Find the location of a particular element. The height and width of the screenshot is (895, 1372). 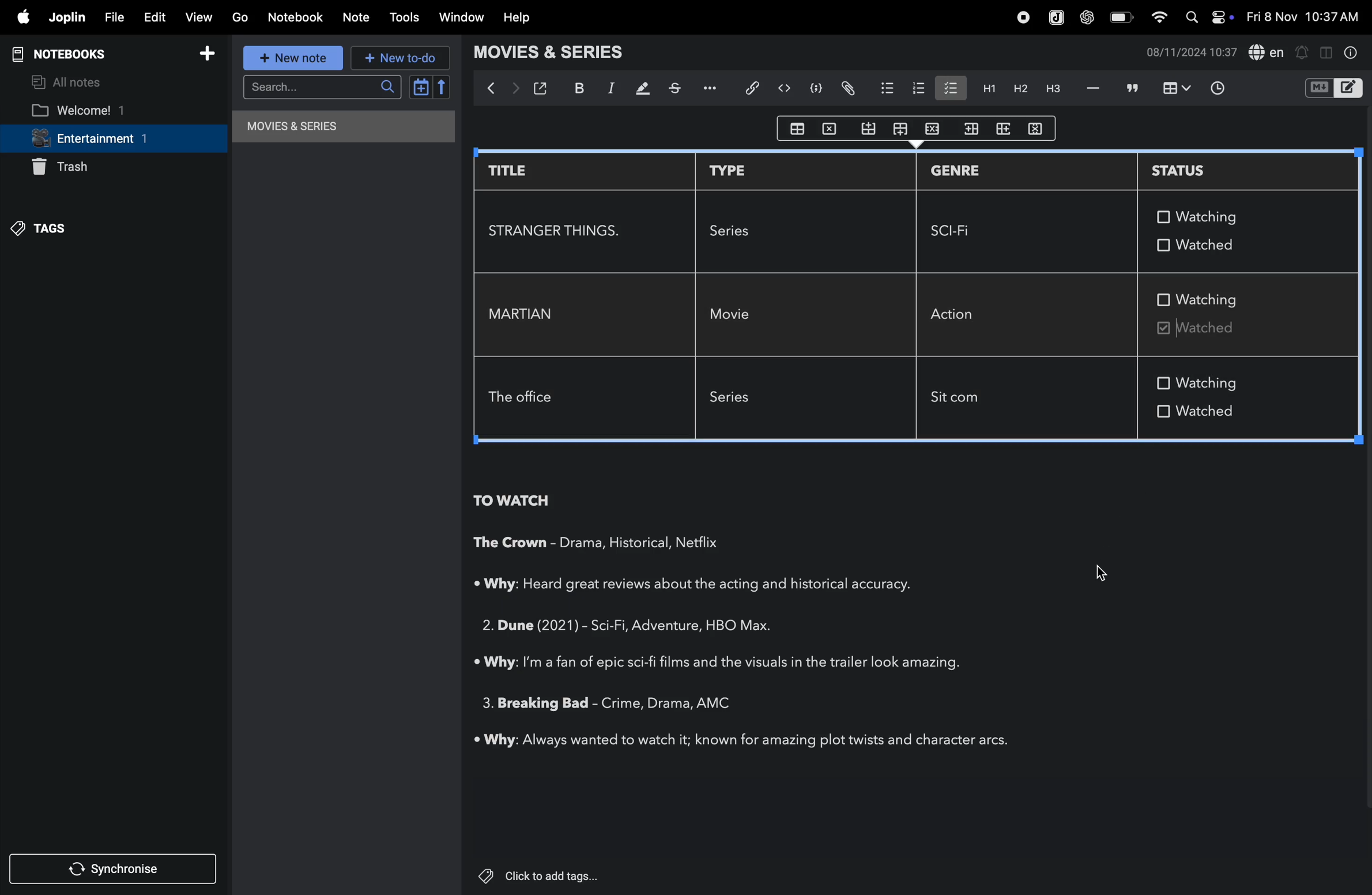

go is located at coordinates (240, 17).